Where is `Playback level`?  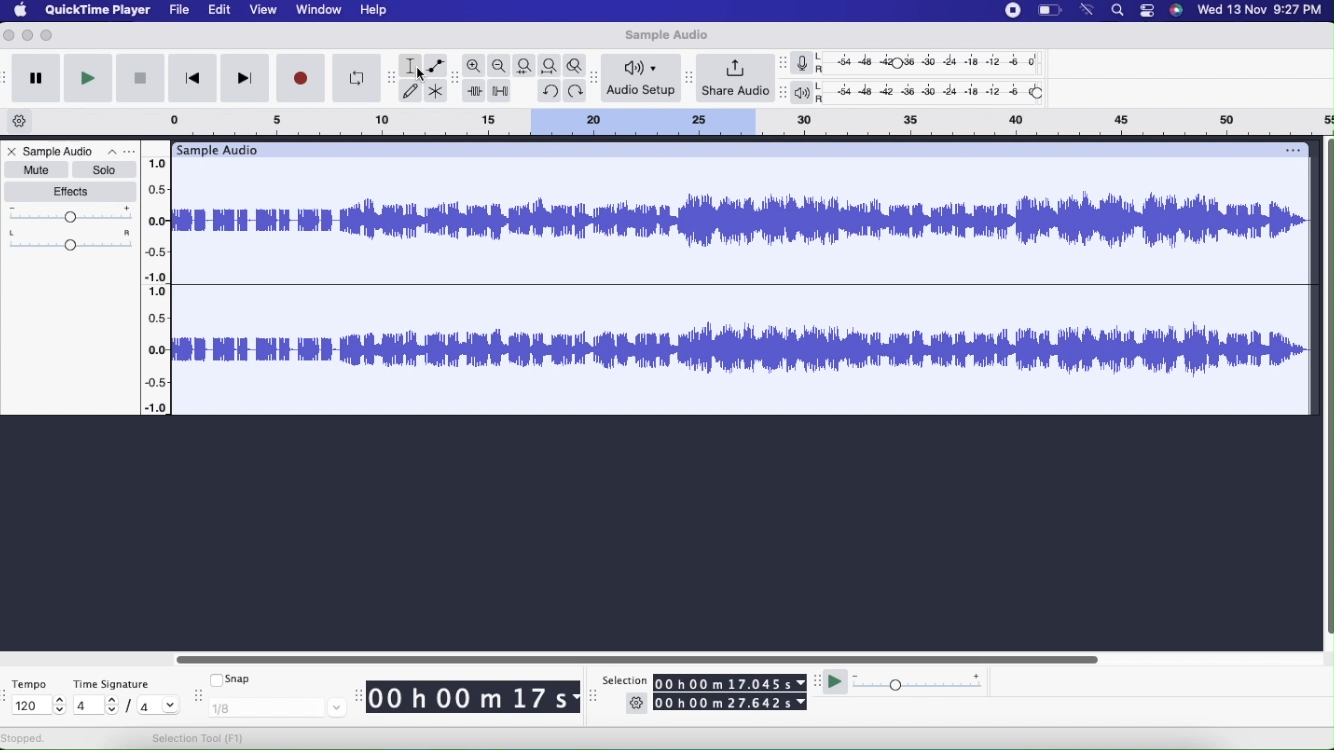 Playback level is located at coordinates (936, 93).